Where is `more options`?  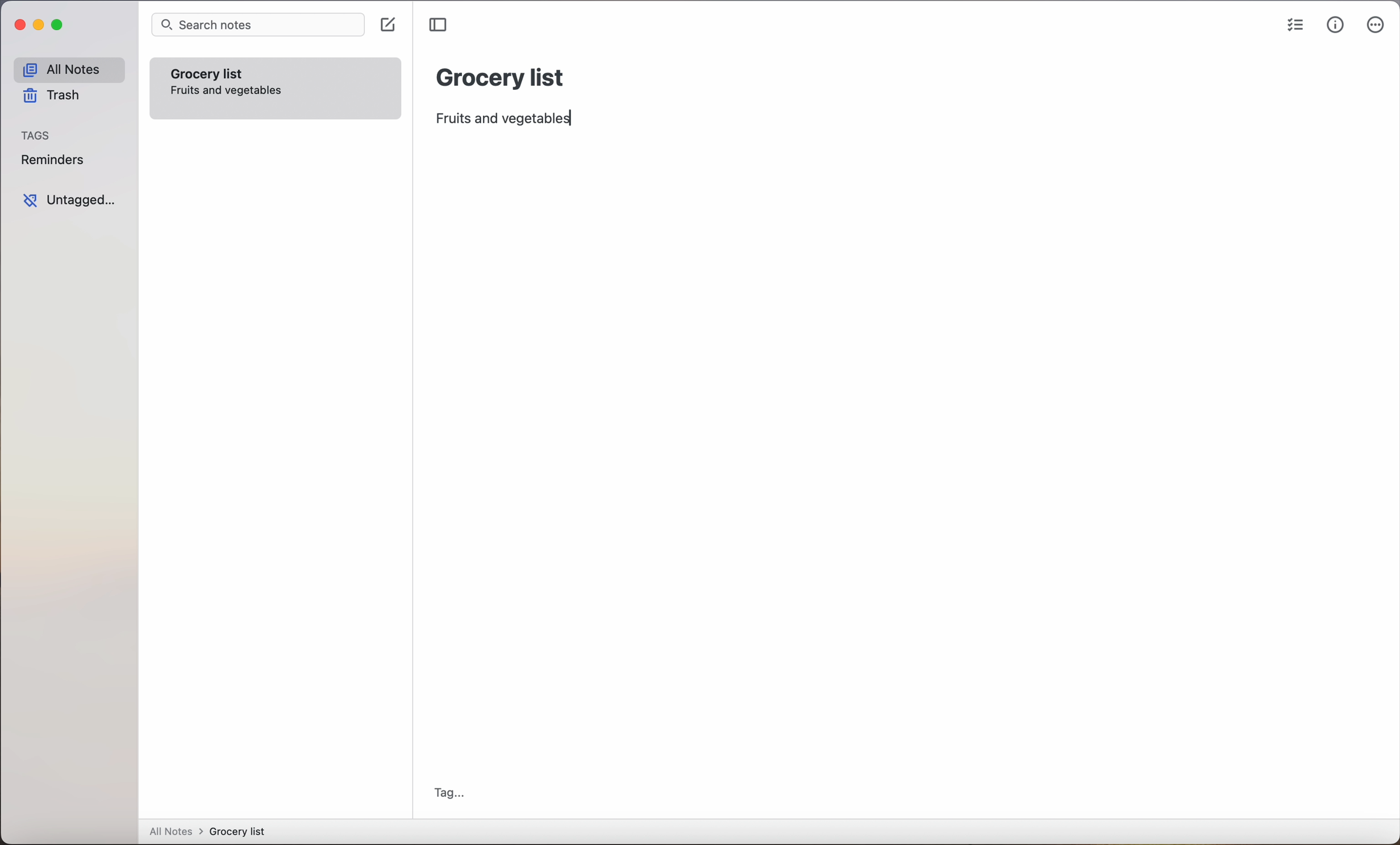
more options is located at coordinates (1376, 27).